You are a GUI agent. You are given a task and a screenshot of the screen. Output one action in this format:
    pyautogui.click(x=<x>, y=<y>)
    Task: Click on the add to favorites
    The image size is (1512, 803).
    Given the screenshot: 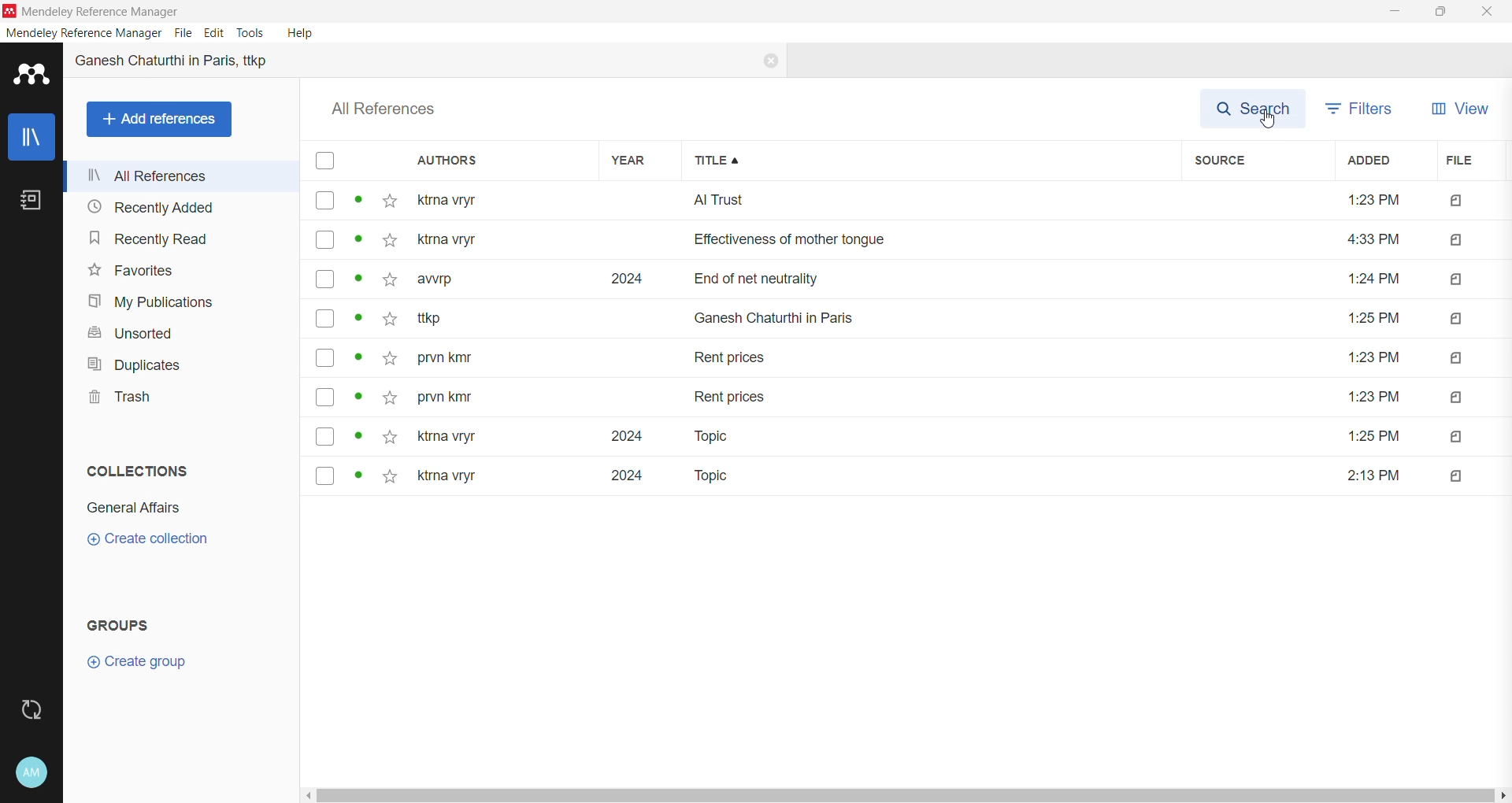 What is the action you would take?
    pyautogui.click(x=391, y=201)
    